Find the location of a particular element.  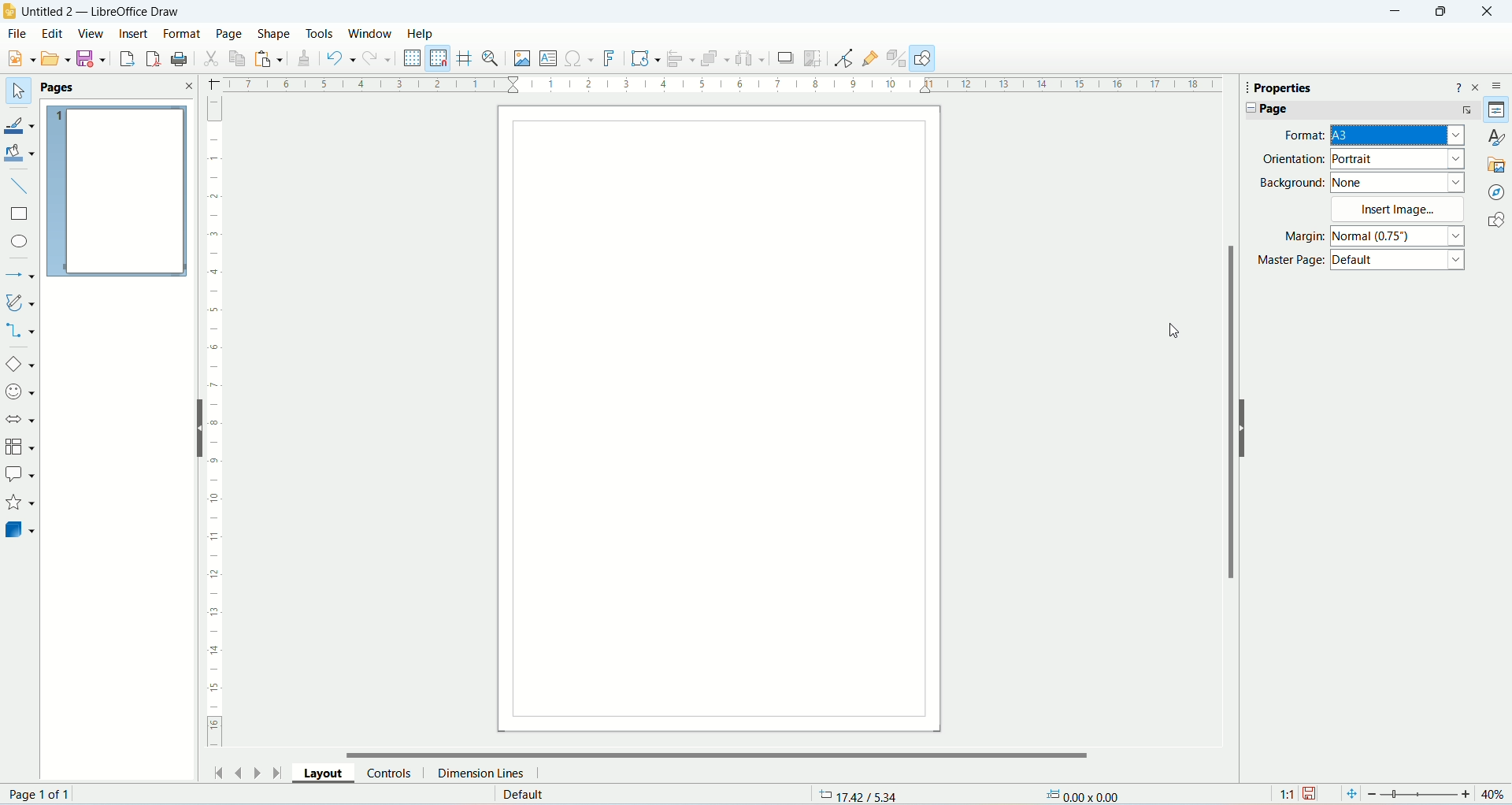

shape is located at coordinates (275, 35).